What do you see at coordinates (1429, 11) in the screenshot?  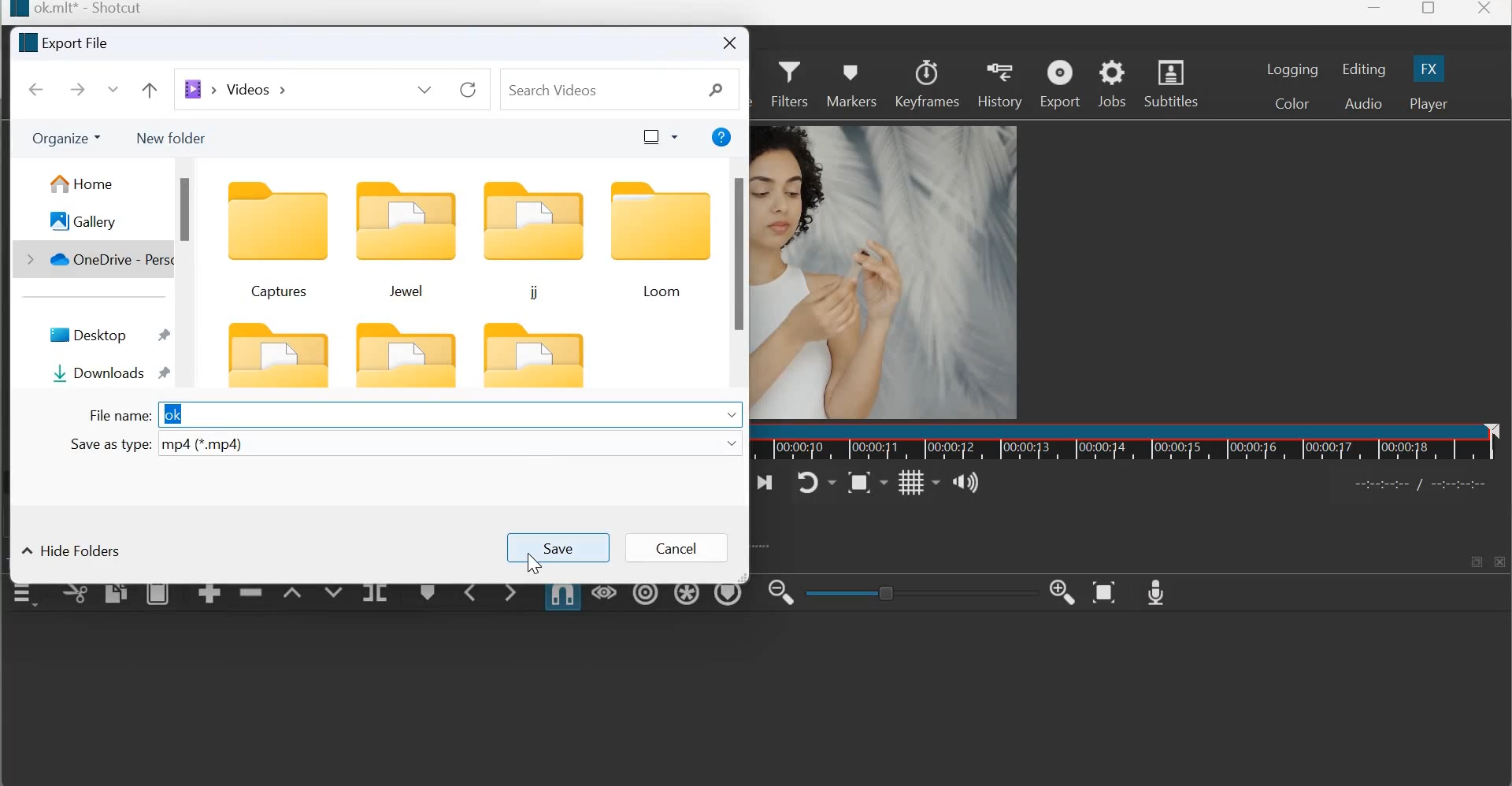 I see `Maximize` at bounding box center [1429, 11].